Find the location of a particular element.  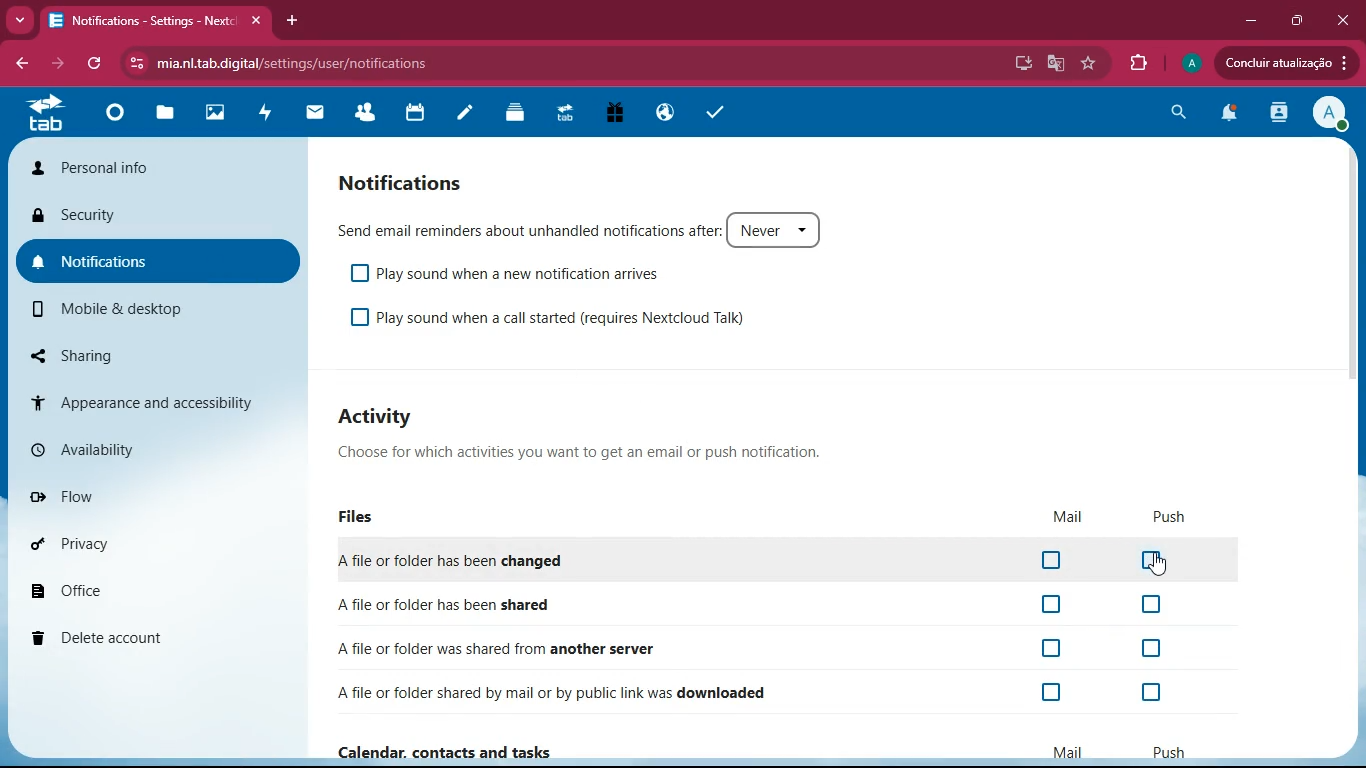

changed is located at coordinates (485, 559).